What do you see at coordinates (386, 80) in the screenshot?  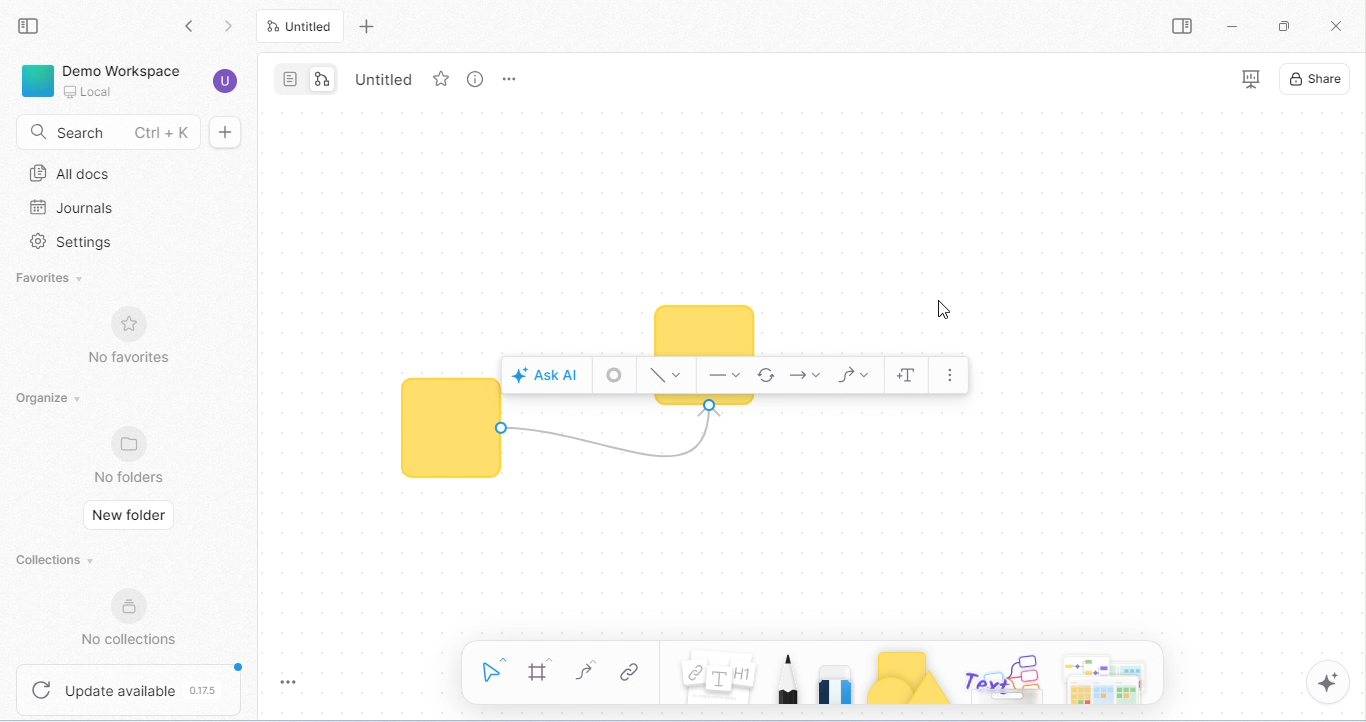 I see `Untitled` at bounding box center [386, 80].